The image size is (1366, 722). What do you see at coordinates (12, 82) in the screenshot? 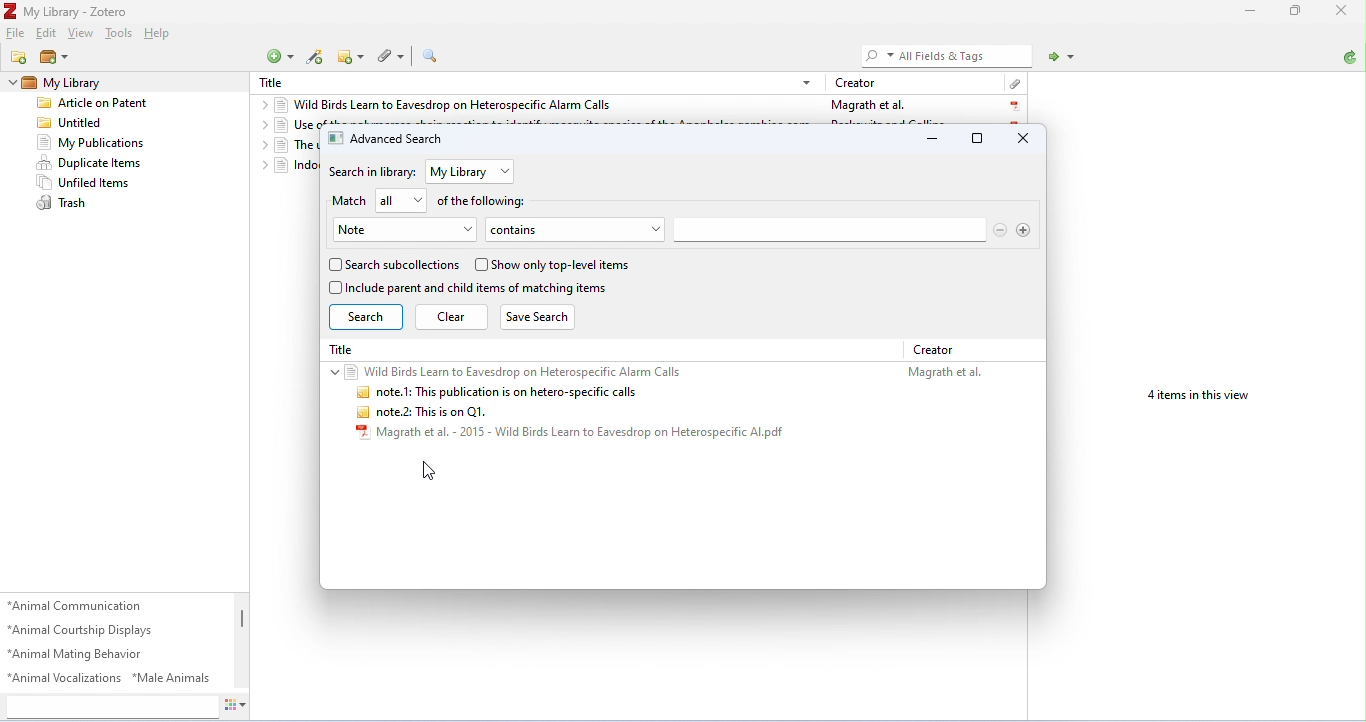
I see `drop-down` at bounding box center [12, 82].